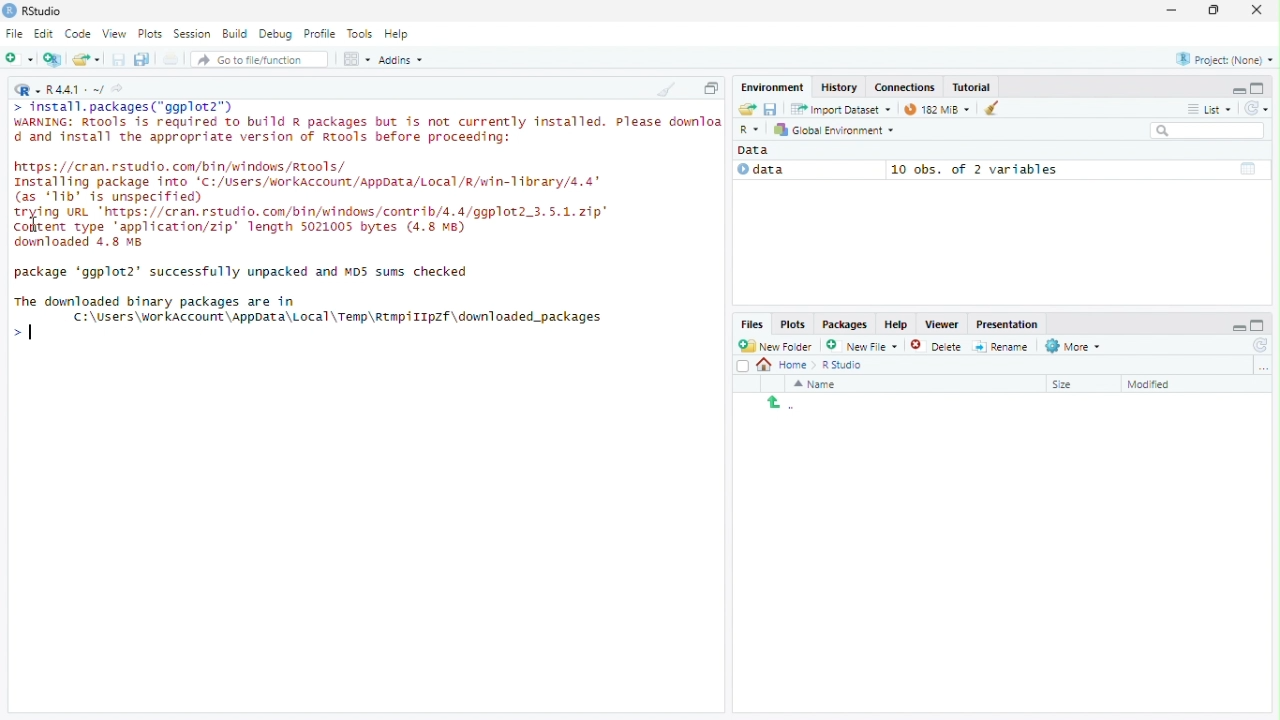 The image size is (1280, 720). What do you see at coordinates (260, 59) in the screenshot?
I see `Go to file/function` at bounding box center [260, 59].